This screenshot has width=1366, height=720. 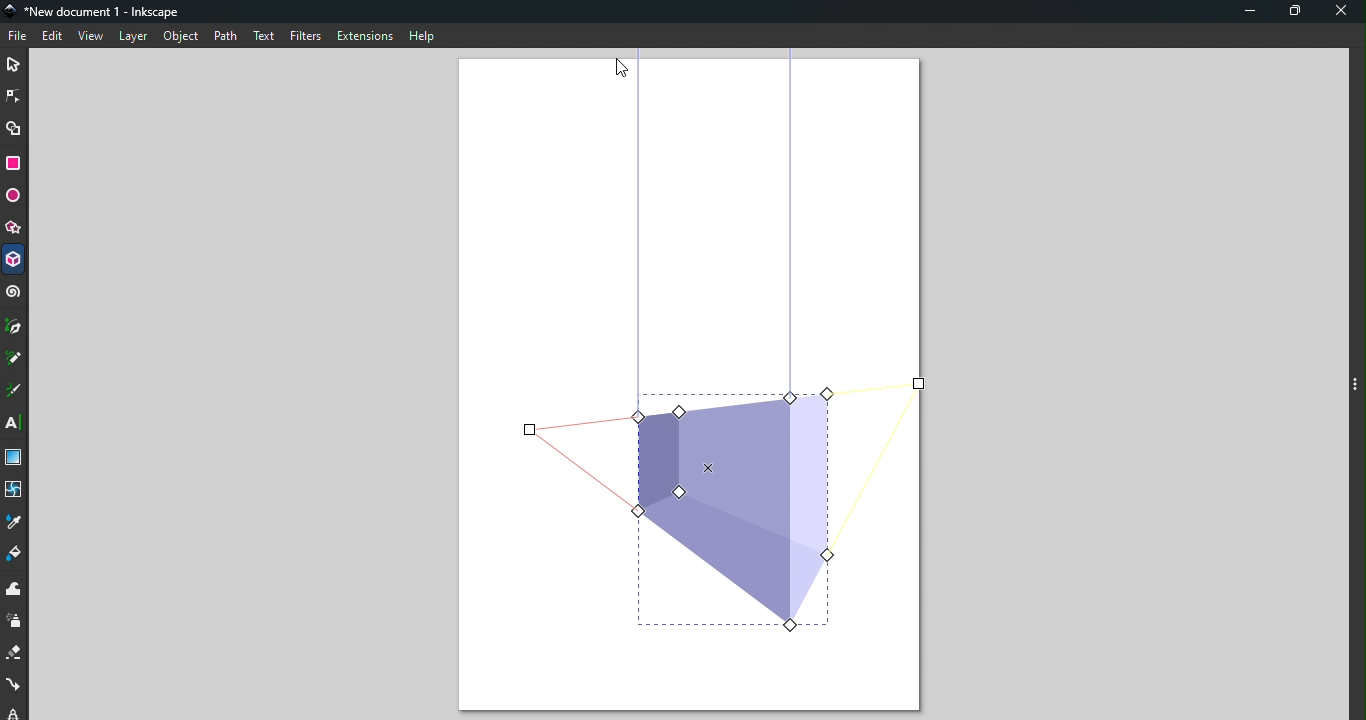 I want to click on Pen tool, so click(x=16, y=328).